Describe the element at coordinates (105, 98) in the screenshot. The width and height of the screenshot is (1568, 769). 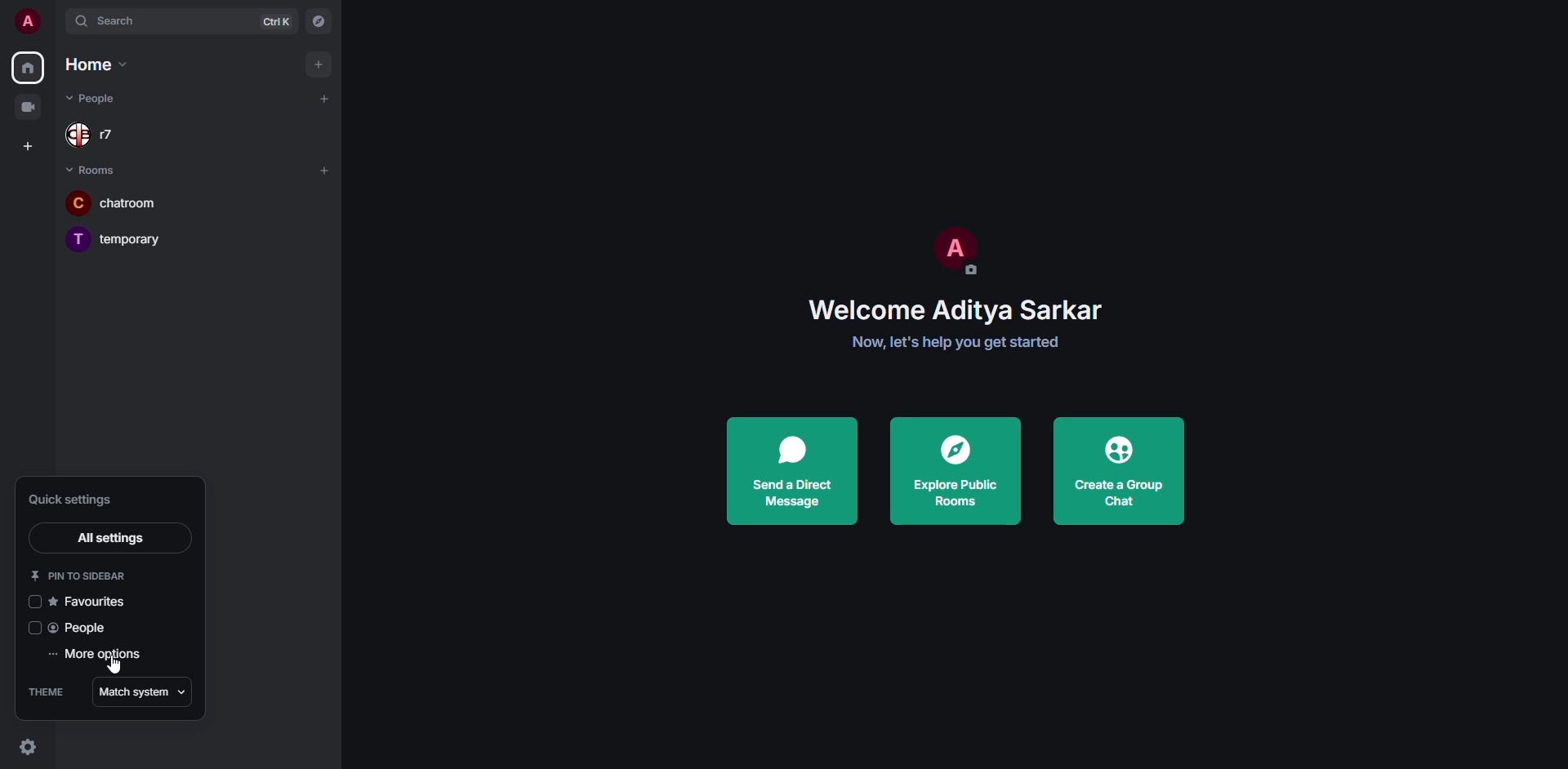
I see `people` at that location.